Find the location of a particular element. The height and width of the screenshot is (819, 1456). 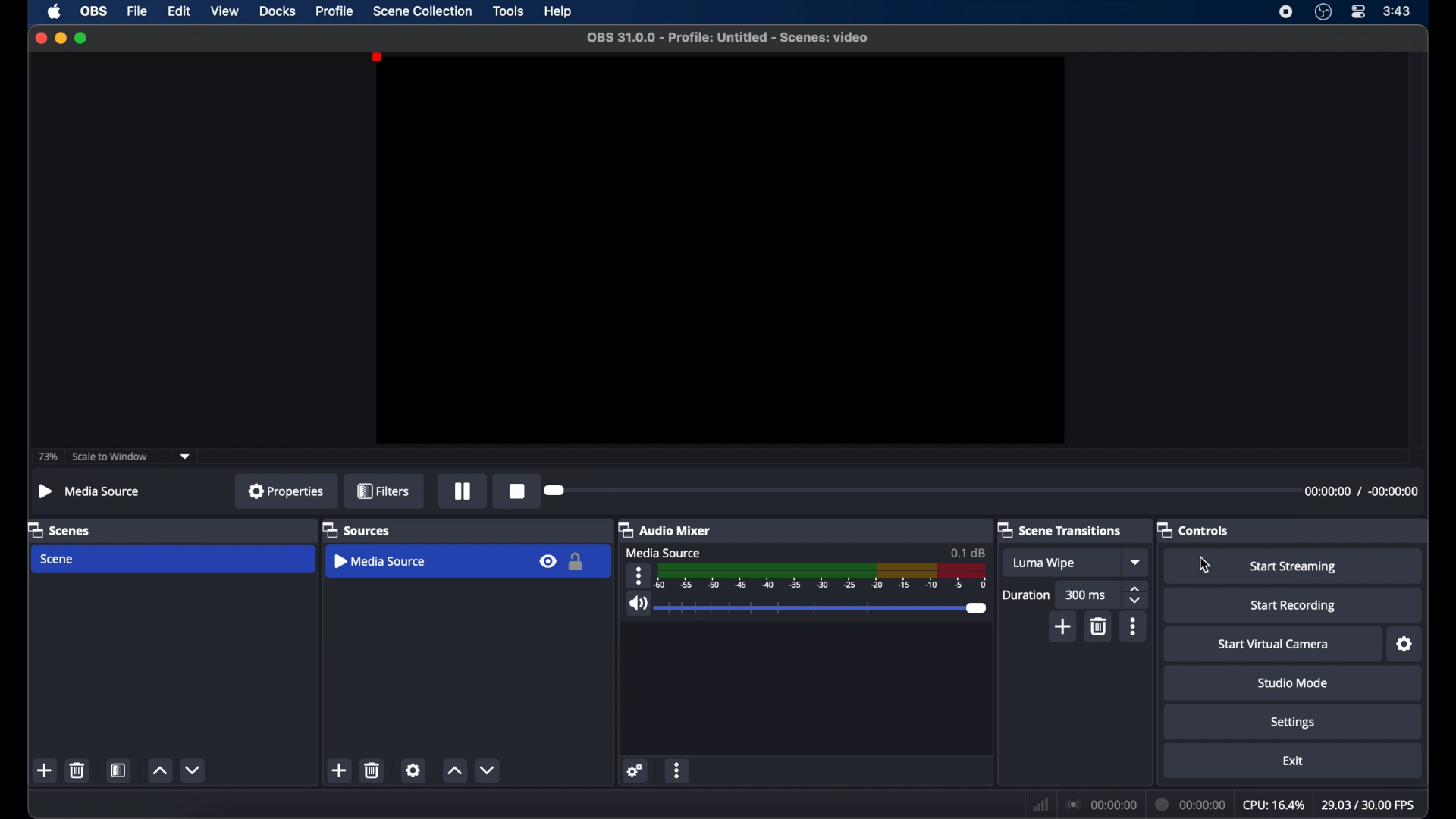

73% is located at coordinates (46, 457).